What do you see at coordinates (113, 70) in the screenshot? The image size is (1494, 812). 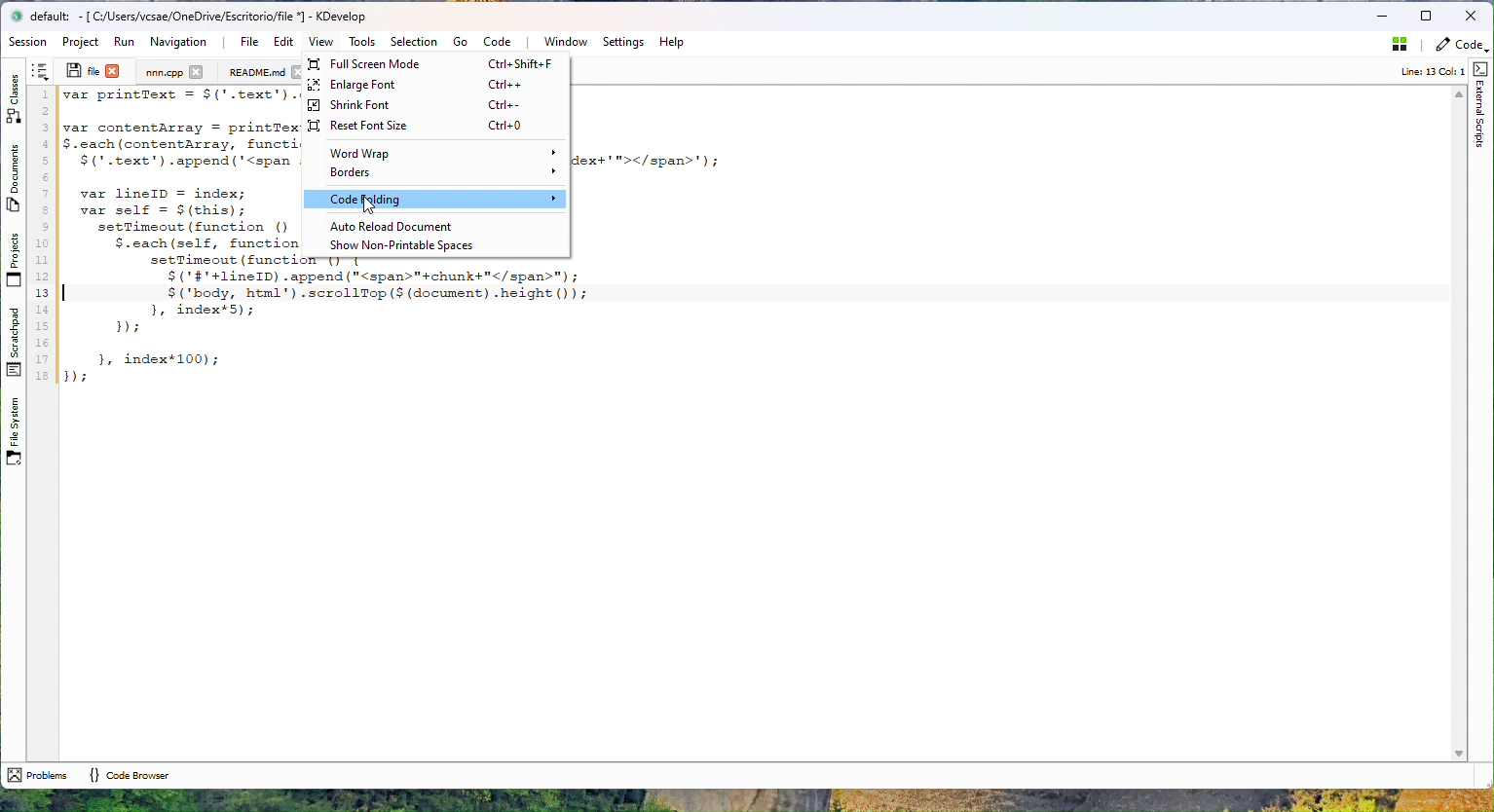 I see `close` at bounding box center [113, 70].